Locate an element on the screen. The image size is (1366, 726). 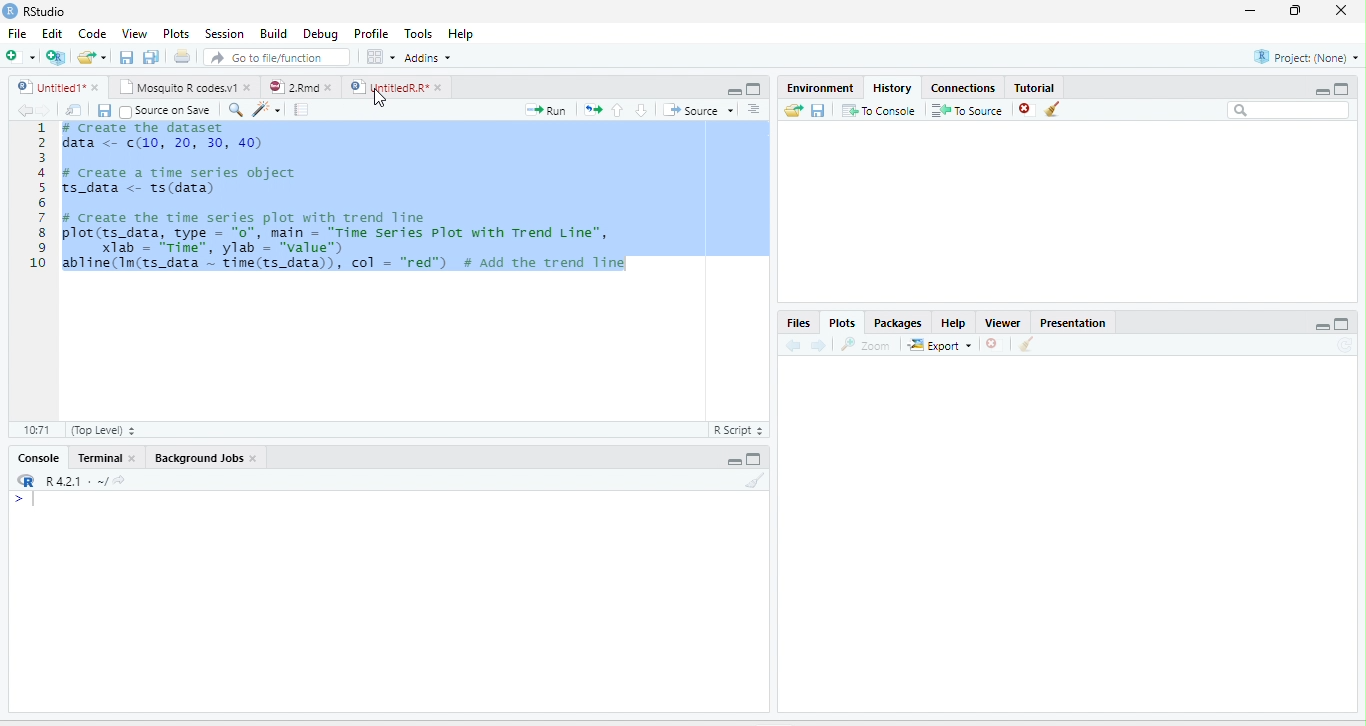
To Console is located at coordinates (878, 110).